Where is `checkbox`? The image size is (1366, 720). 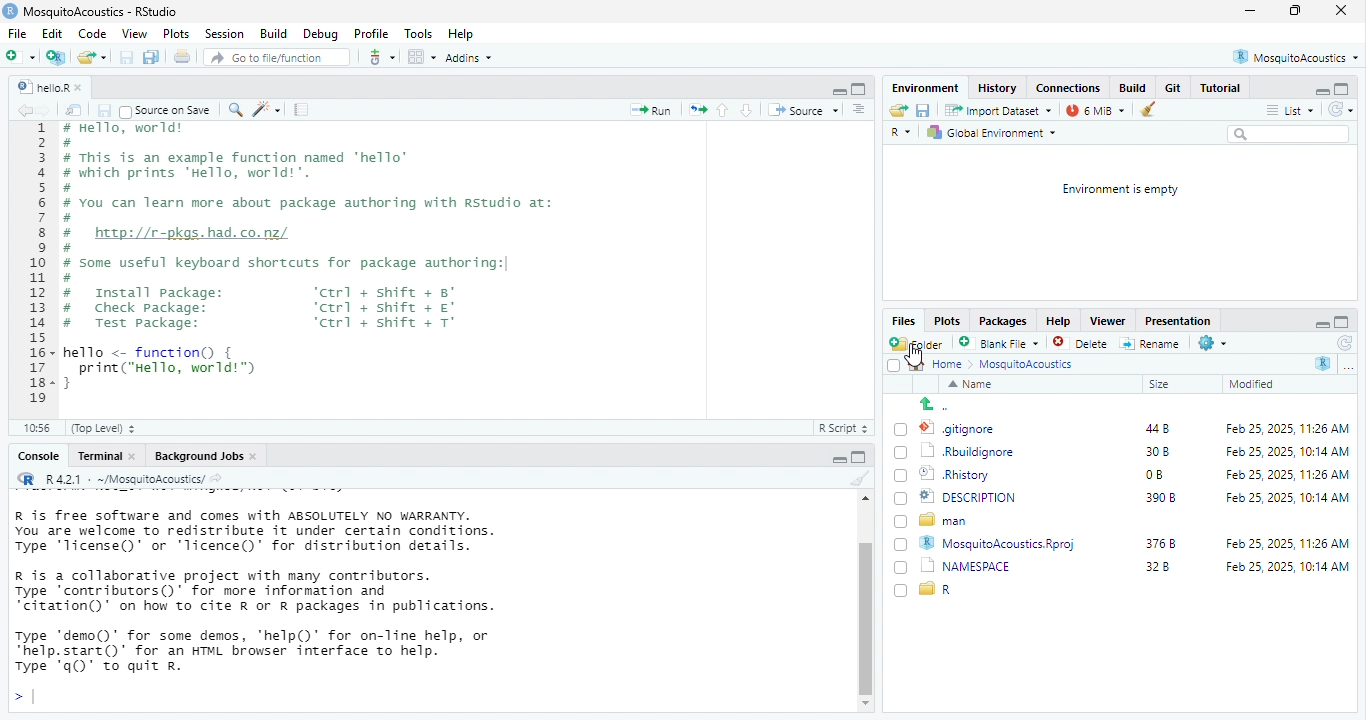 checkbox is located at coordinates (900, 478).